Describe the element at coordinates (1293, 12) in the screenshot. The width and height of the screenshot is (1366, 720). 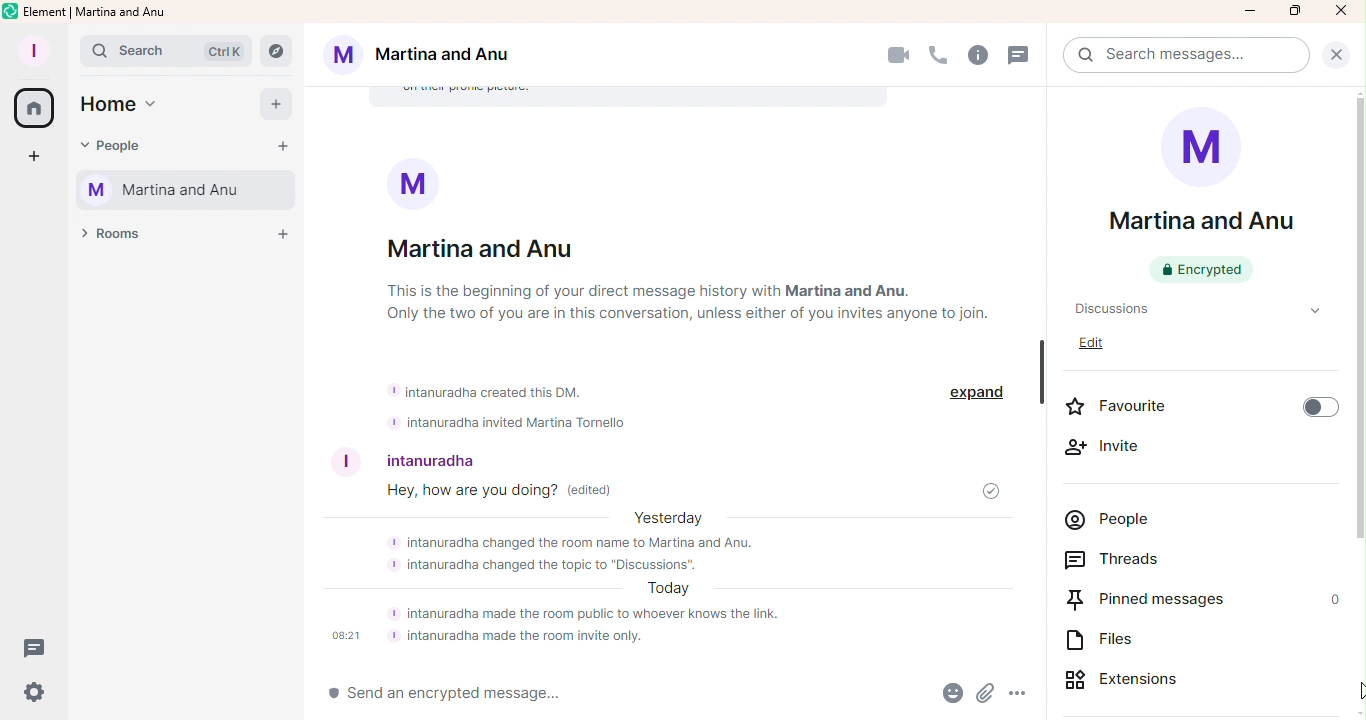
I see `Maximize` at that location.